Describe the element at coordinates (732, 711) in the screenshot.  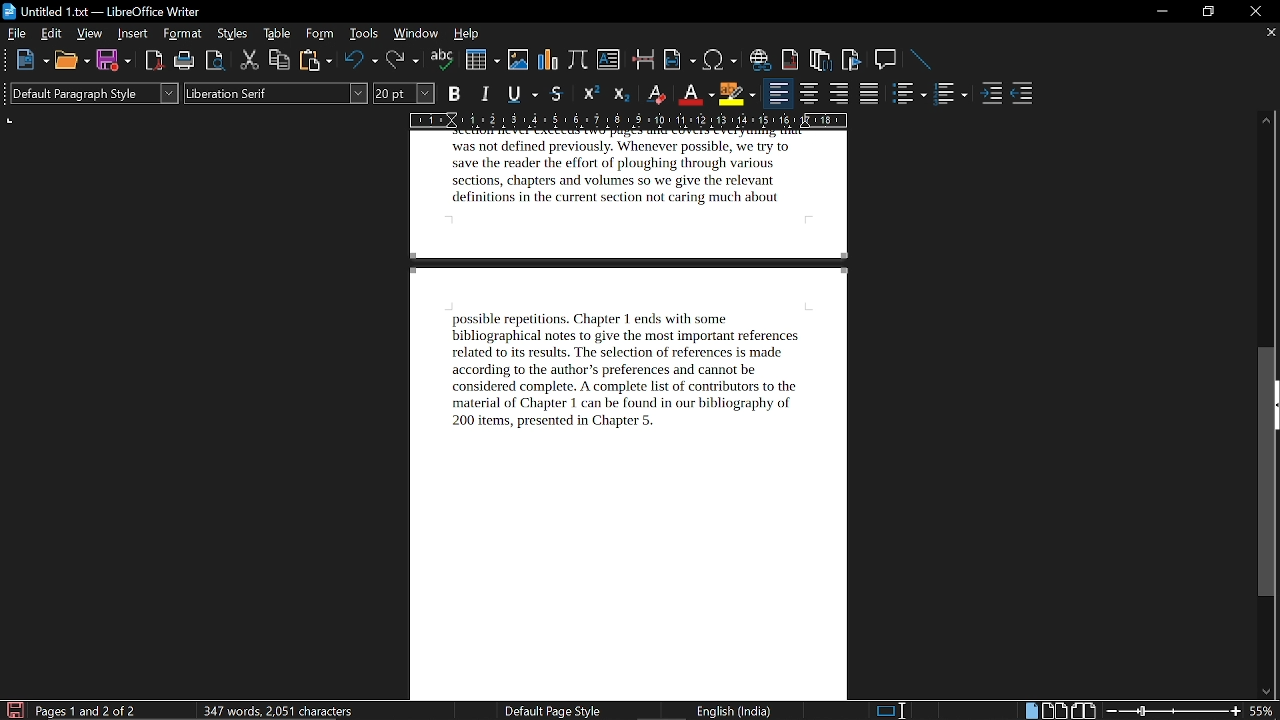
I see `current language` at that location.